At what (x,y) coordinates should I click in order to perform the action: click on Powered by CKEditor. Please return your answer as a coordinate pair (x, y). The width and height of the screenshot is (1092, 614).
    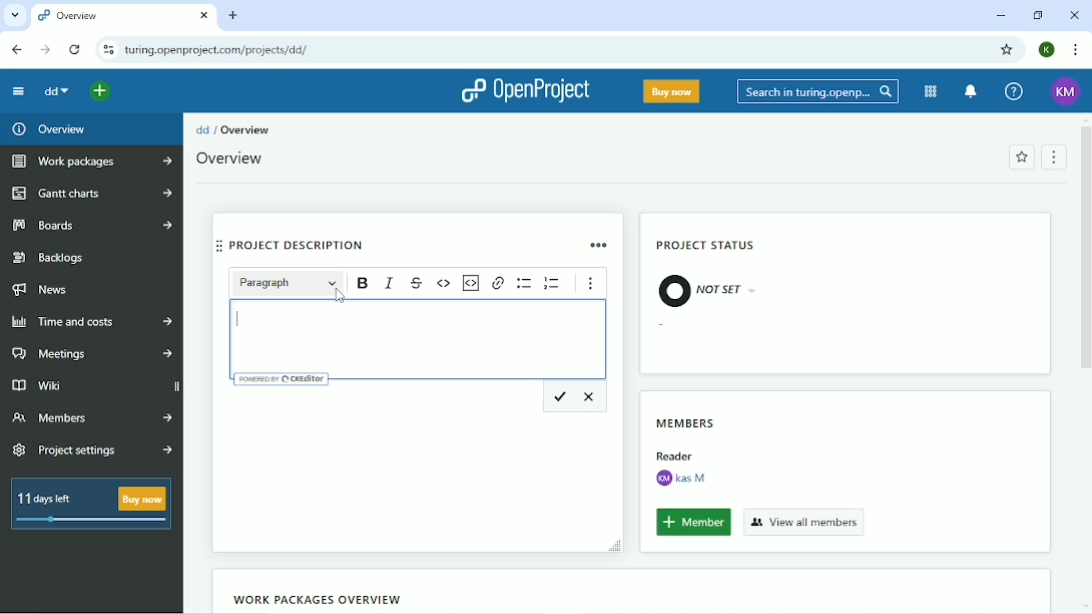
    Looking at the image, I should click on (282, 378).